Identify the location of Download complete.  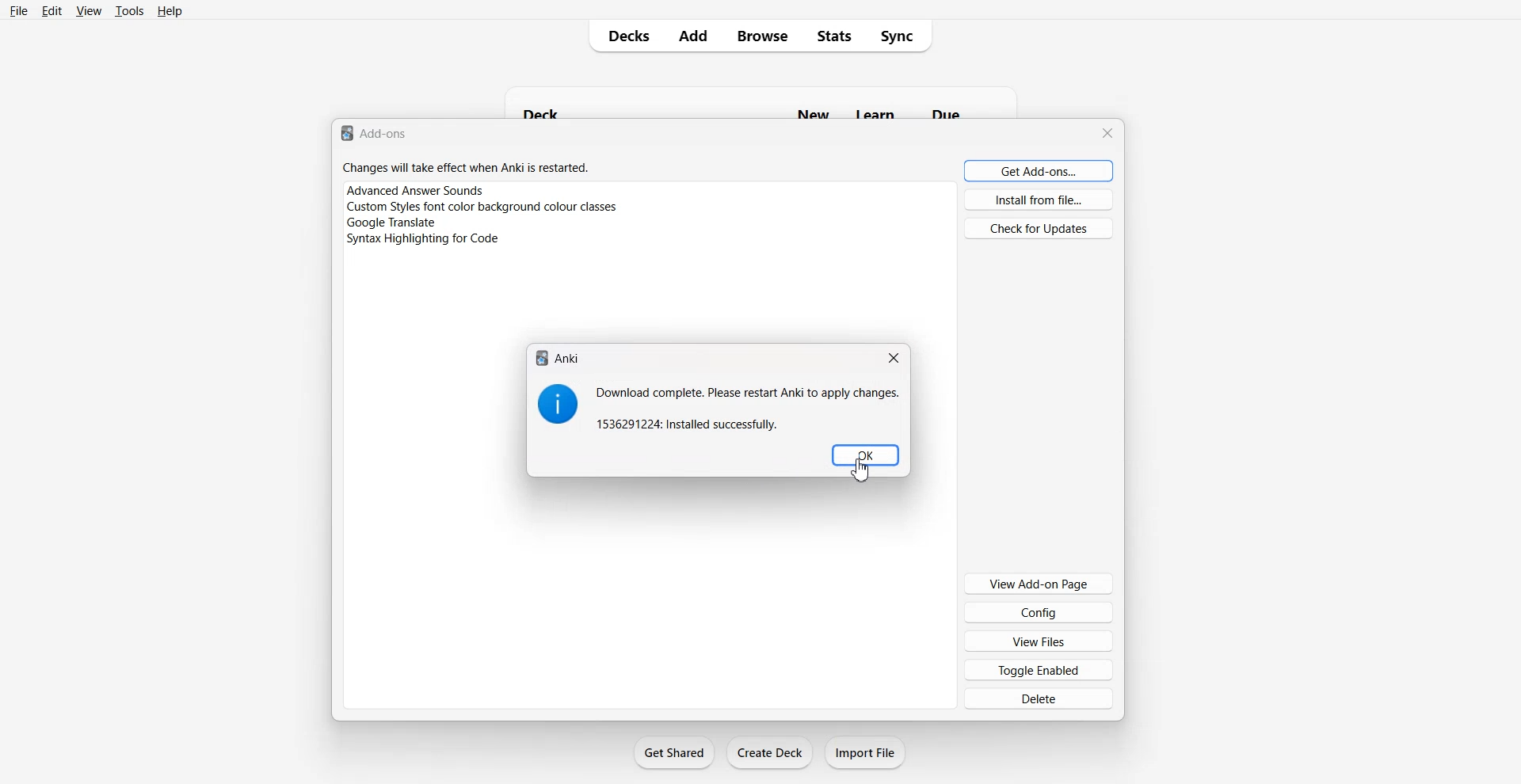
(748, 394).